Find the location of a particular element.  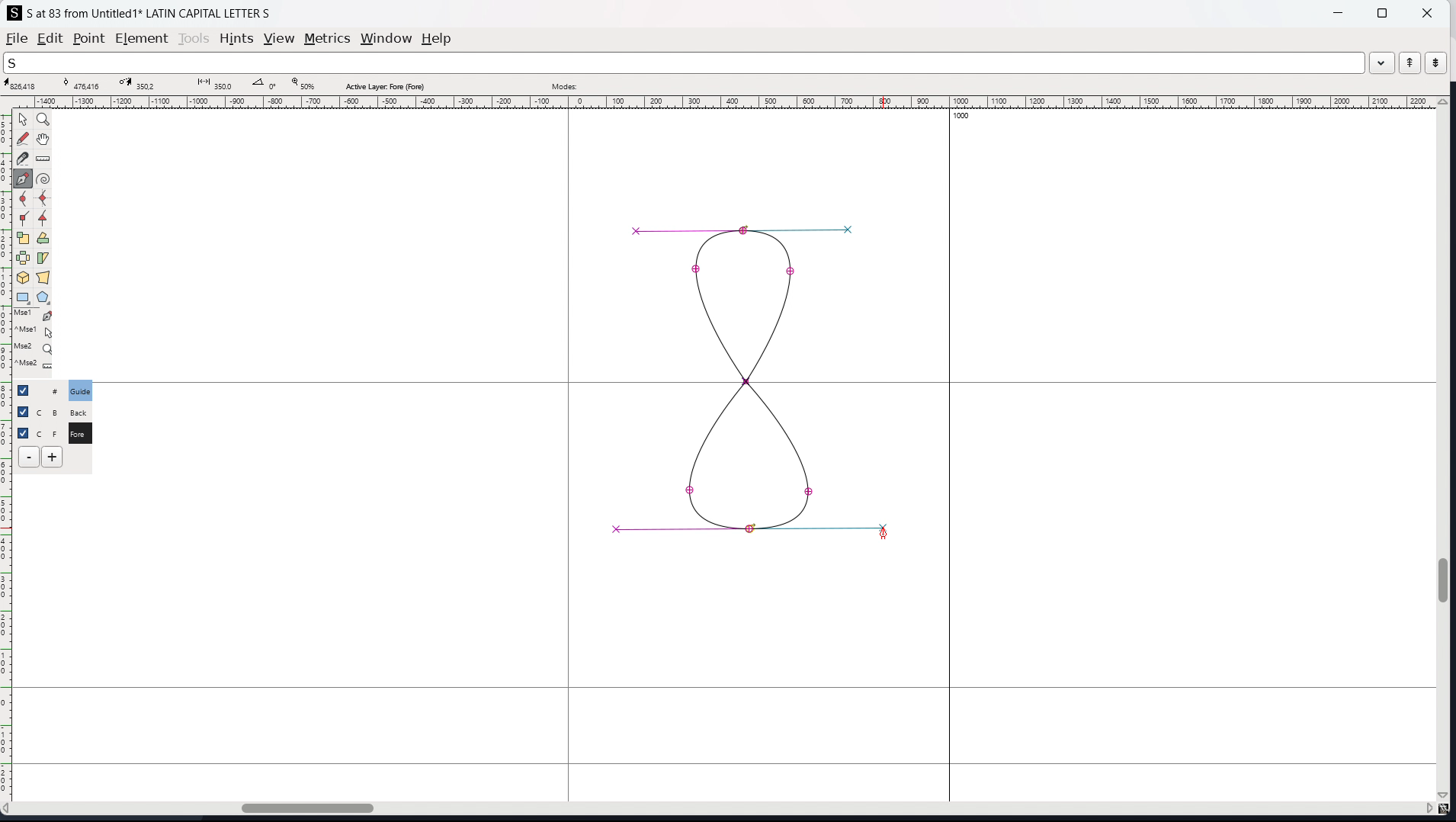

1000 is located at coordinates (966, 117).